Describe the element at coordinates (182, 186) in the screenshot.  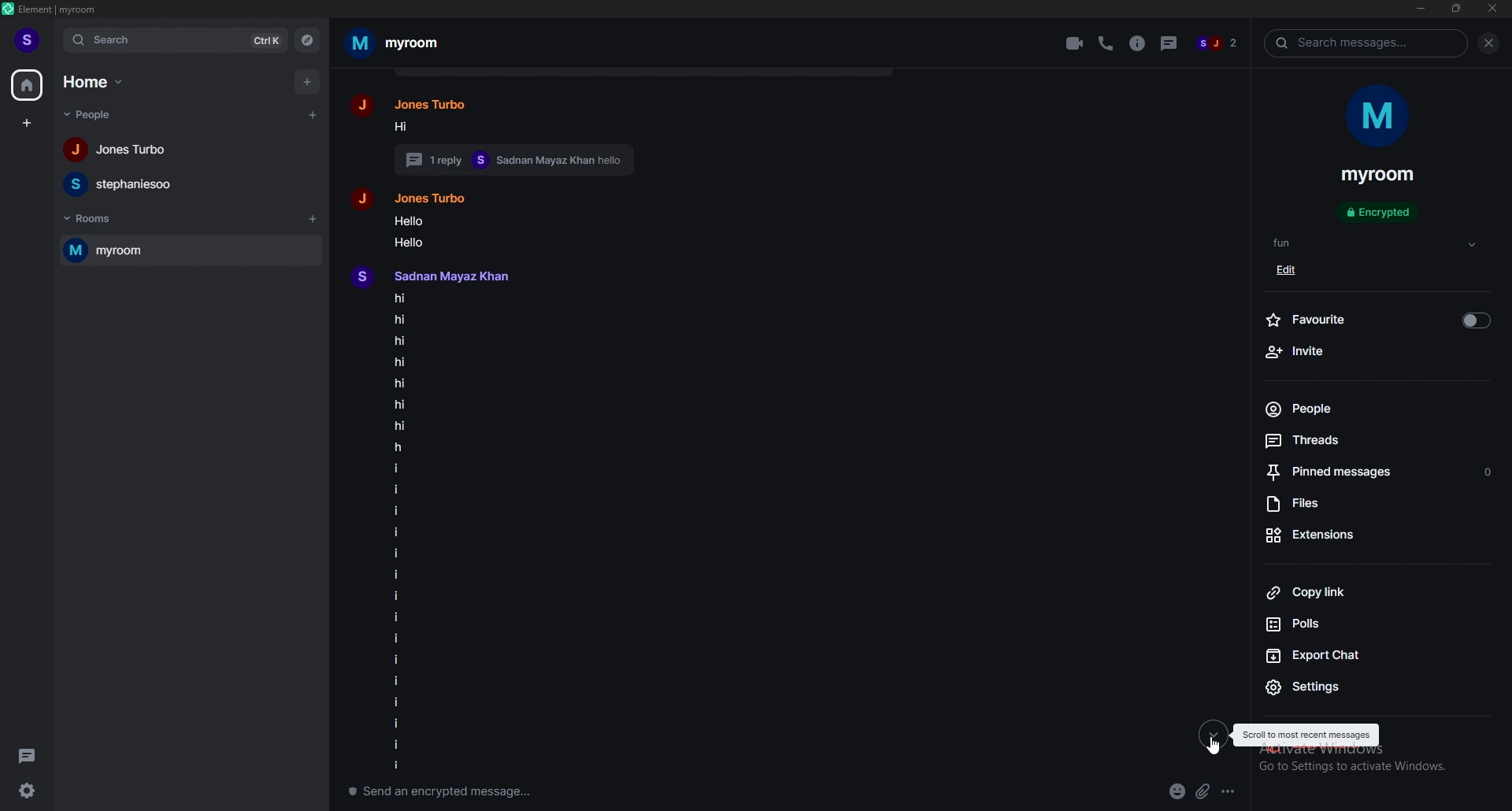
I see `stephaniesoo` at that location.